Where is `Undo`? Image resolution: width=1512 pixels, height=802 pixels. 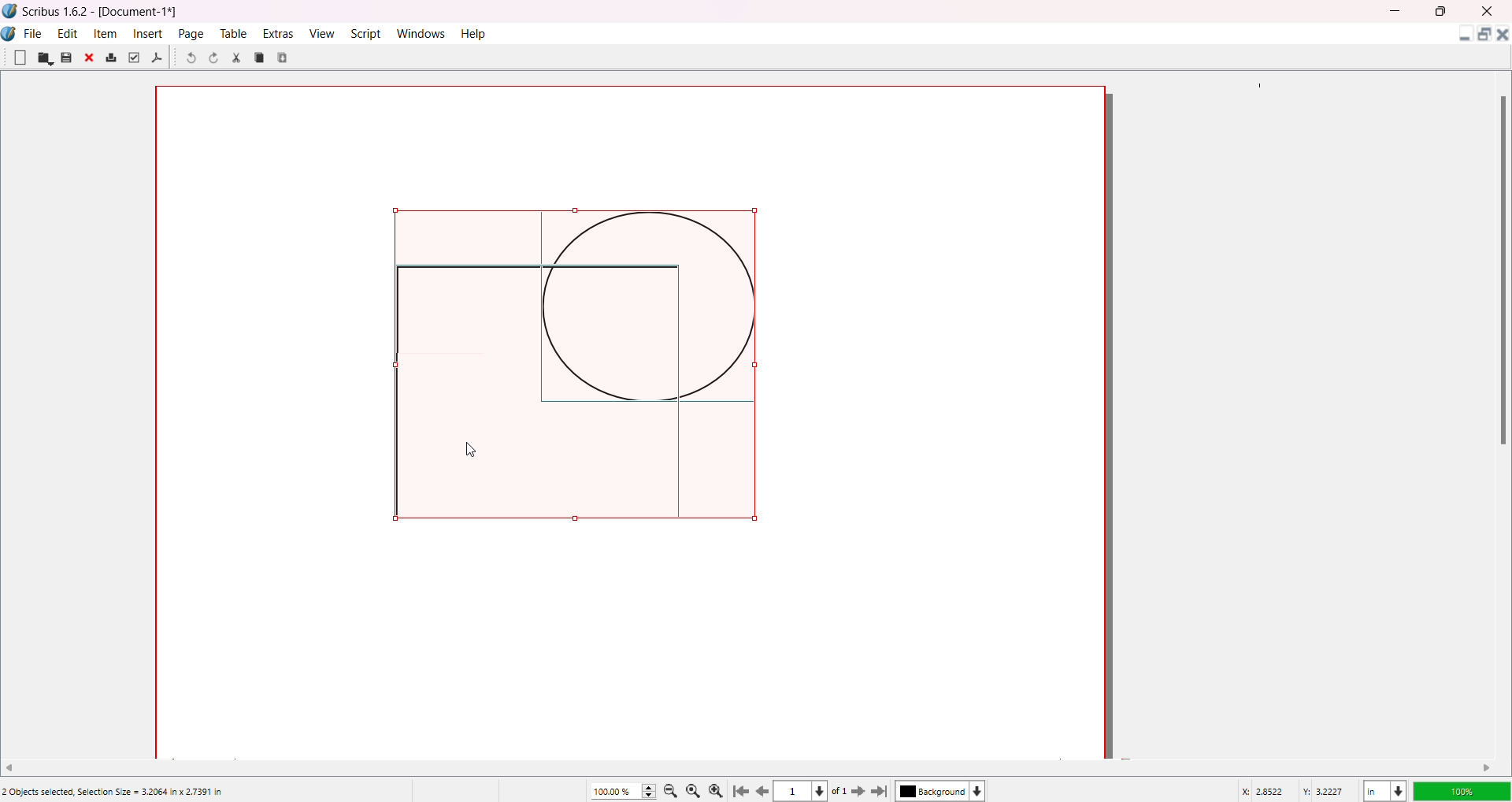 Undo is located at coordinates (190, 59).